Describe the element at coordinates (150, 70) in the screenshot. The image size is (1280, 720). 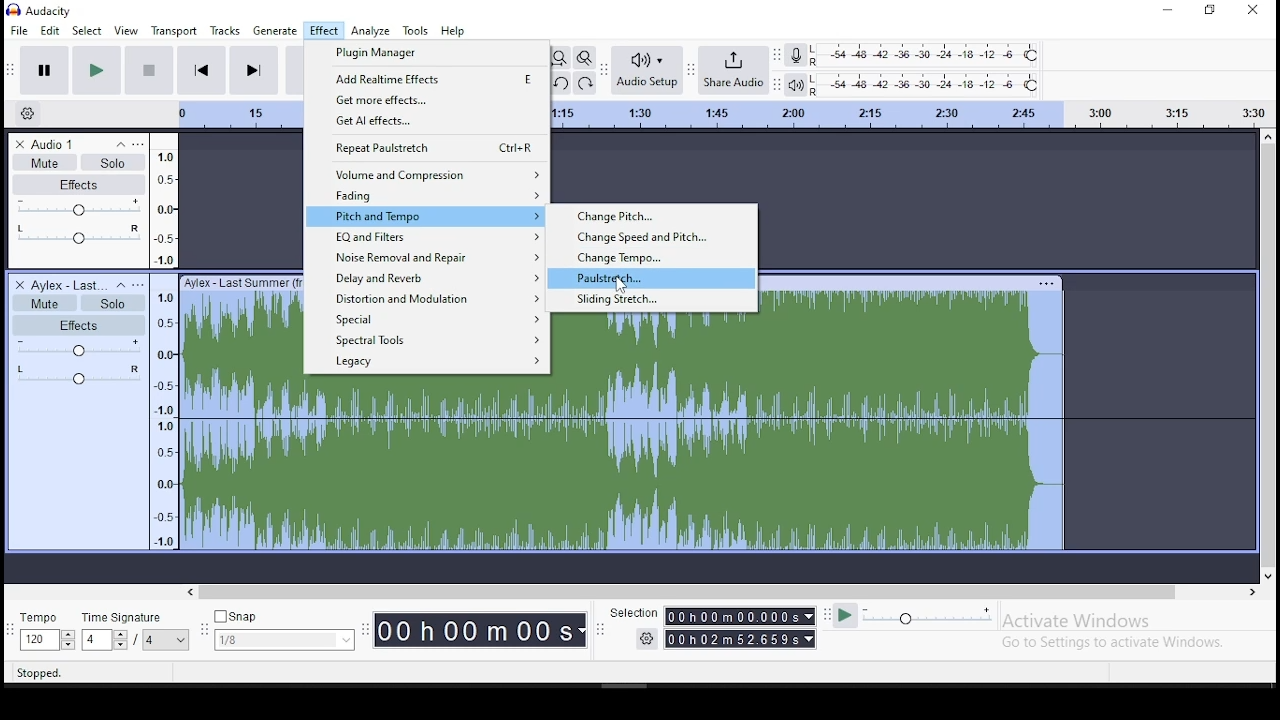
I see `stop` at that location.